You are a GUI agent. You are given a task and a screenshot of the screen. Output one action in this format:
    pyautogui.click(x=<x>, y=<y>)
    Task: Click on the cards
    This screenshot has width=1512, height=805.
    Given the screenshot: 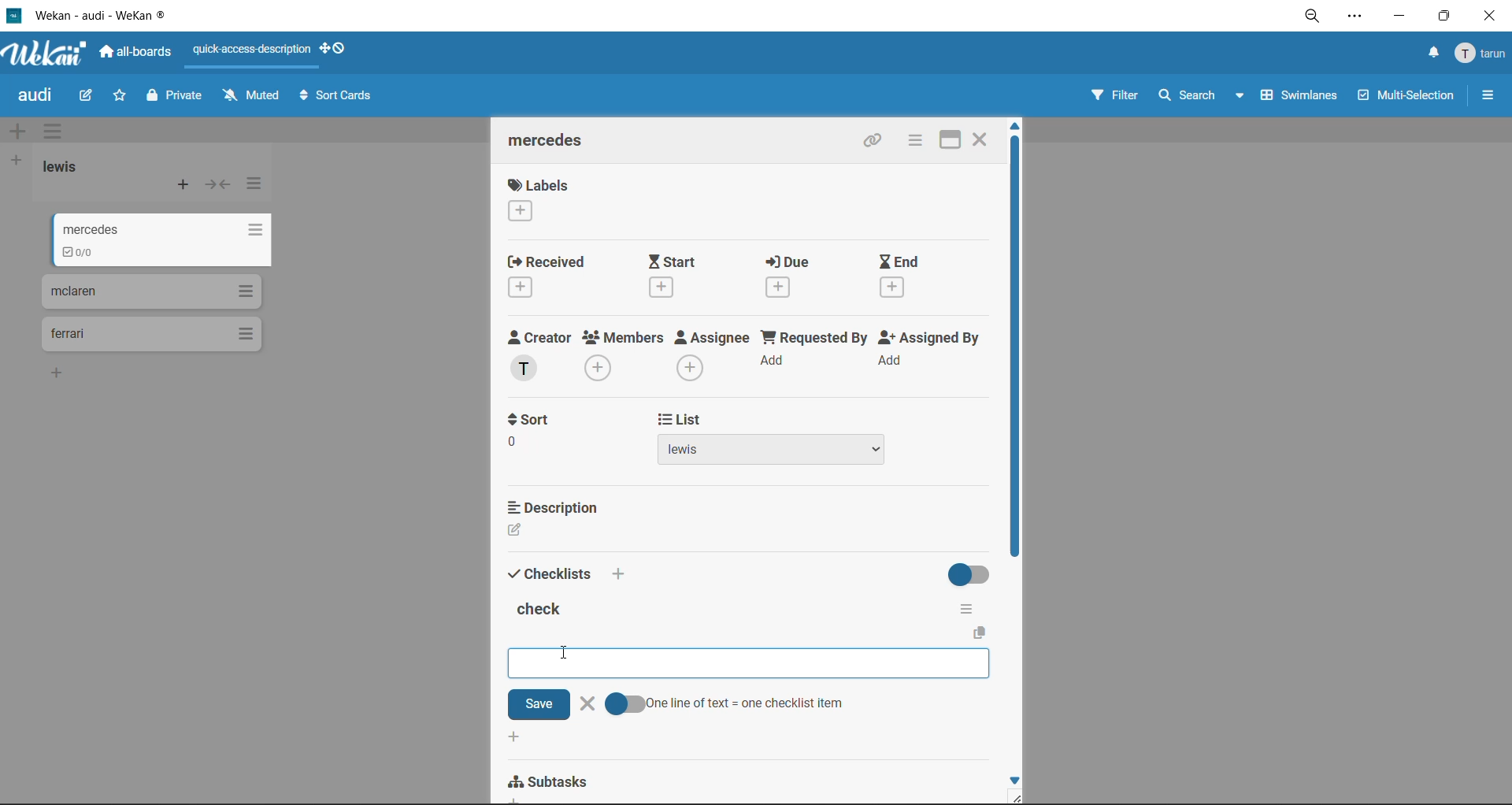 What is the action you would take?
    pyautogui.click(x=146, y=295)
    